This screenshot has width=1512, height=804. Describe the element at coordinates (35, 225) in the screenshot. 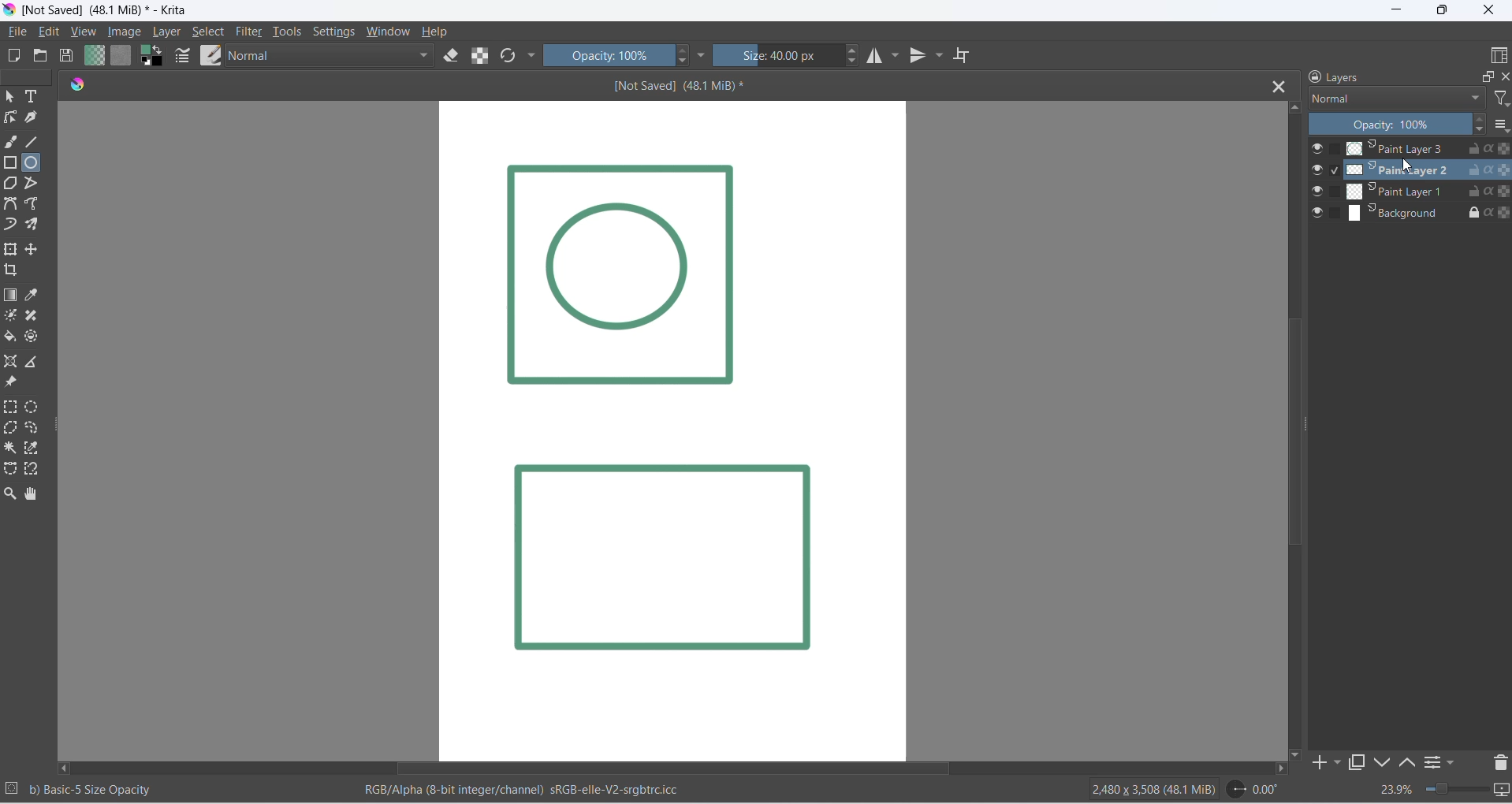

I see `multibrush tool` at that location.